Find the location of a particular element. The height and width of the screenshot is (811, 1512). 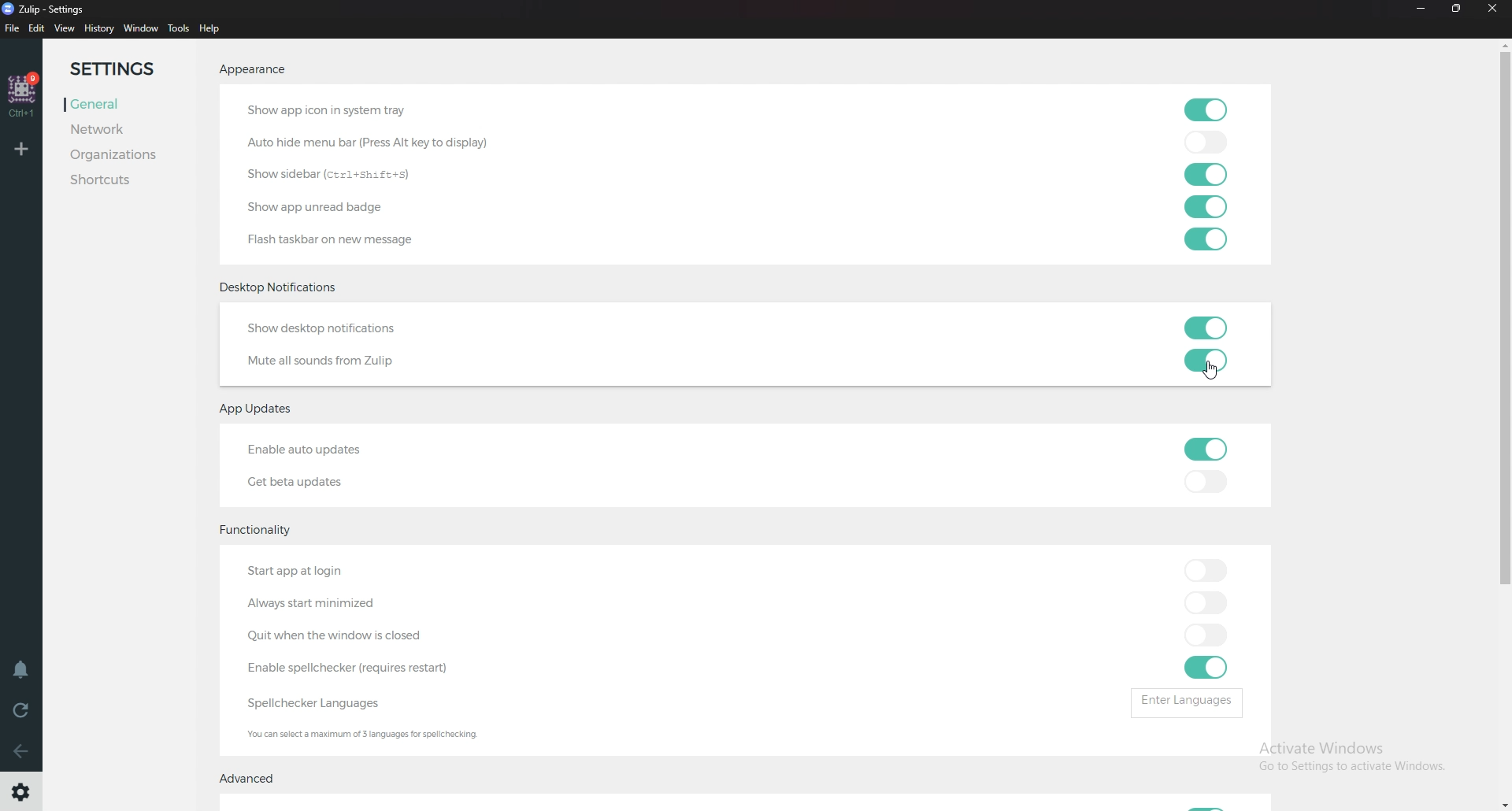

Enable do not disturb is located at coordinates (20, 671).